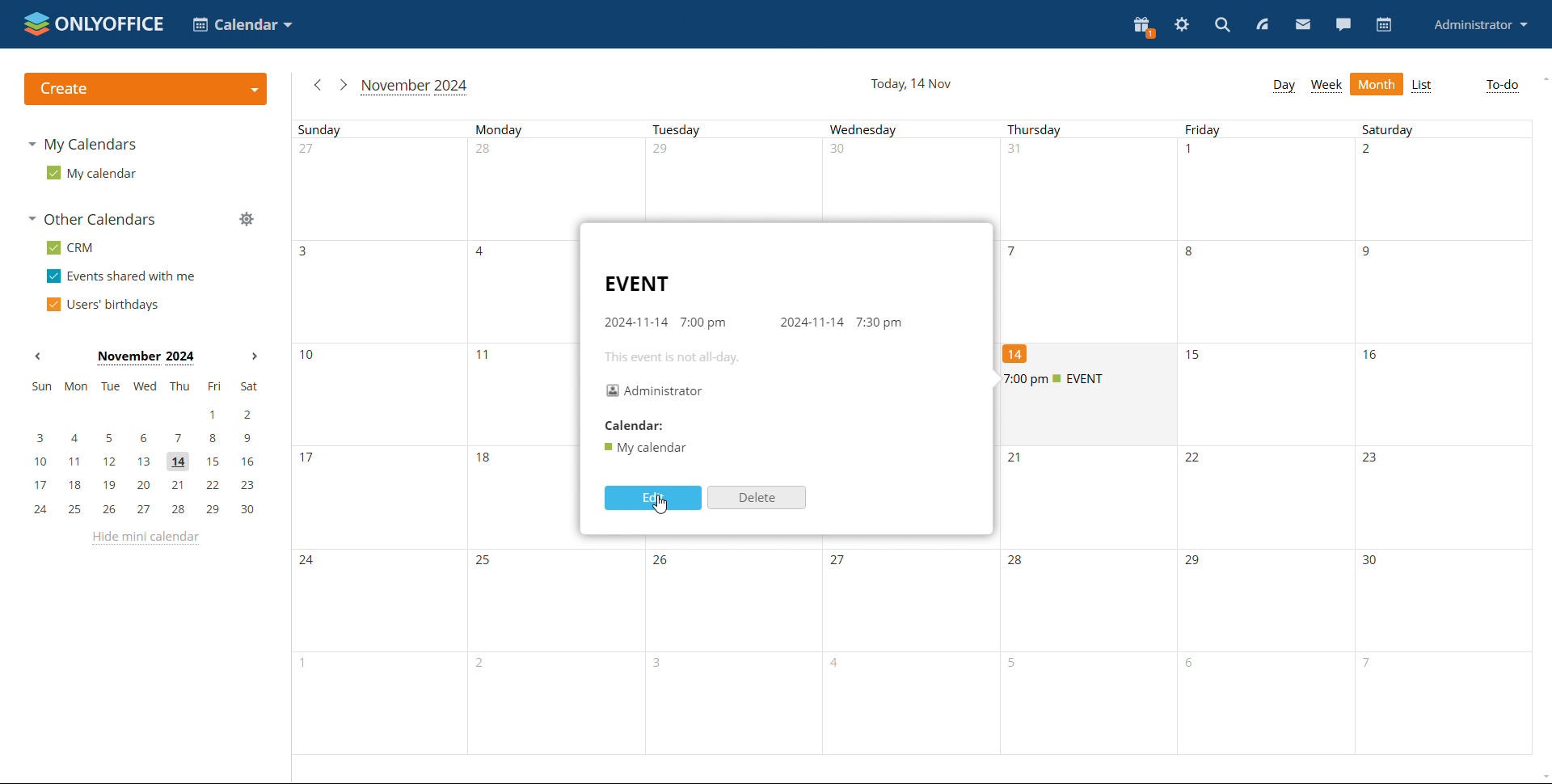 Image resolution: width=1552 pixels, height=784 pixels. What do you see at coordinates (1015, 251) in the screenshot?
I see `number` at bounding box center [1015, 251].